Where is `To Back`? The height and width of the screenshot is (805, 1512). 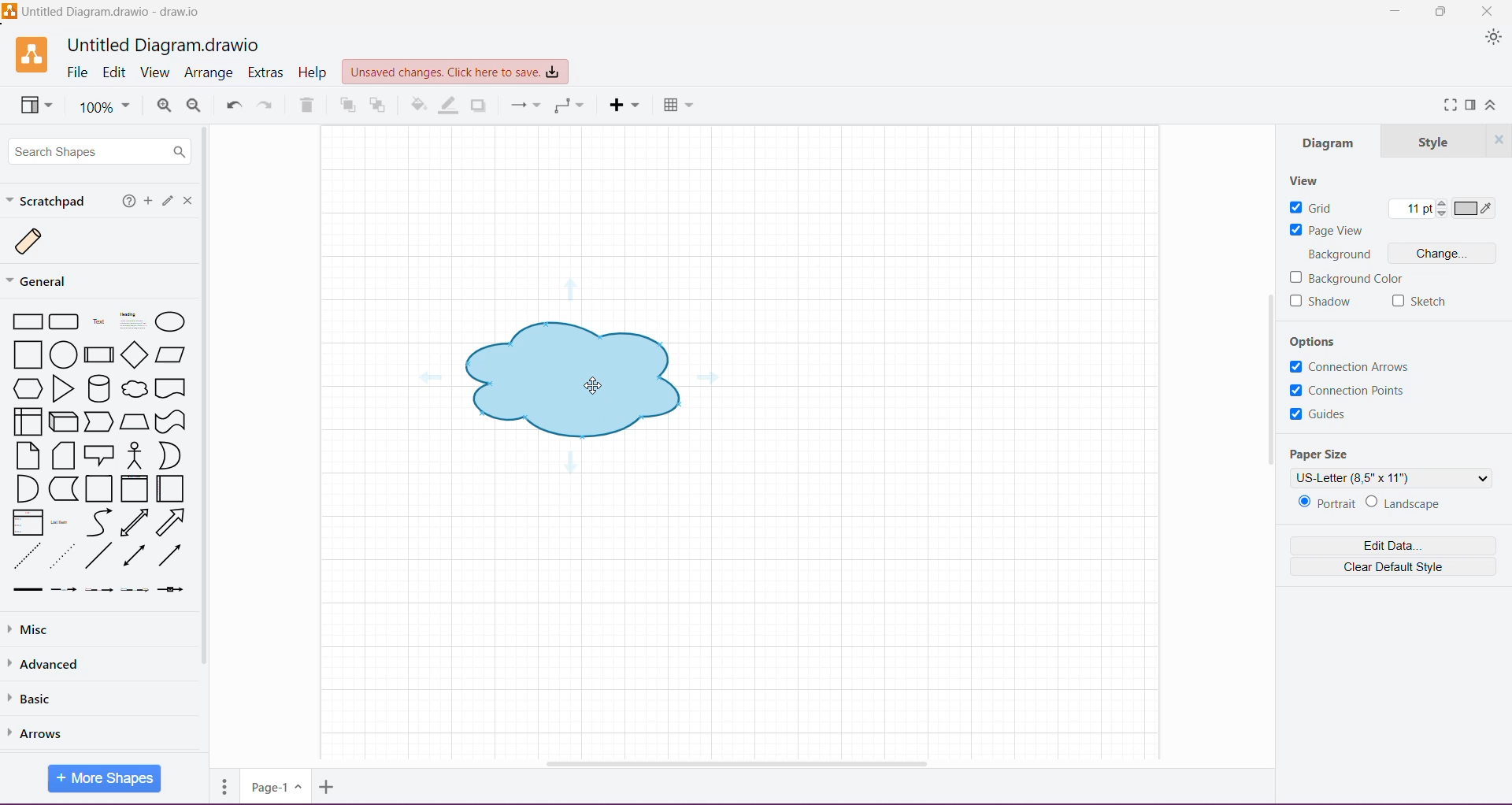
To Back is located at coordinates (379, 106).